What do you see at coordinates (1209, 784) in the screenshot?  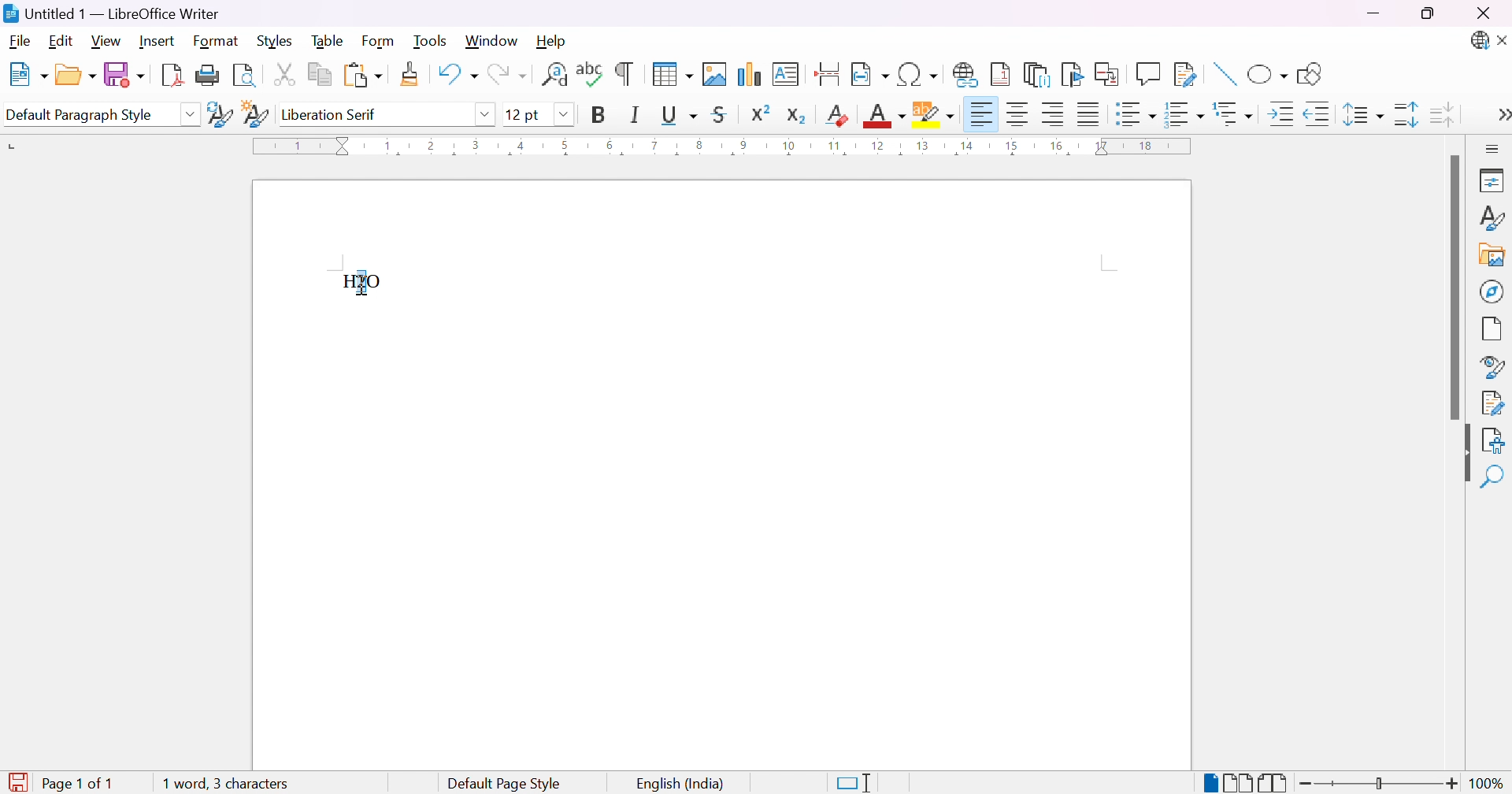 I see `Single-page break` at bounding box center [1209, 784].